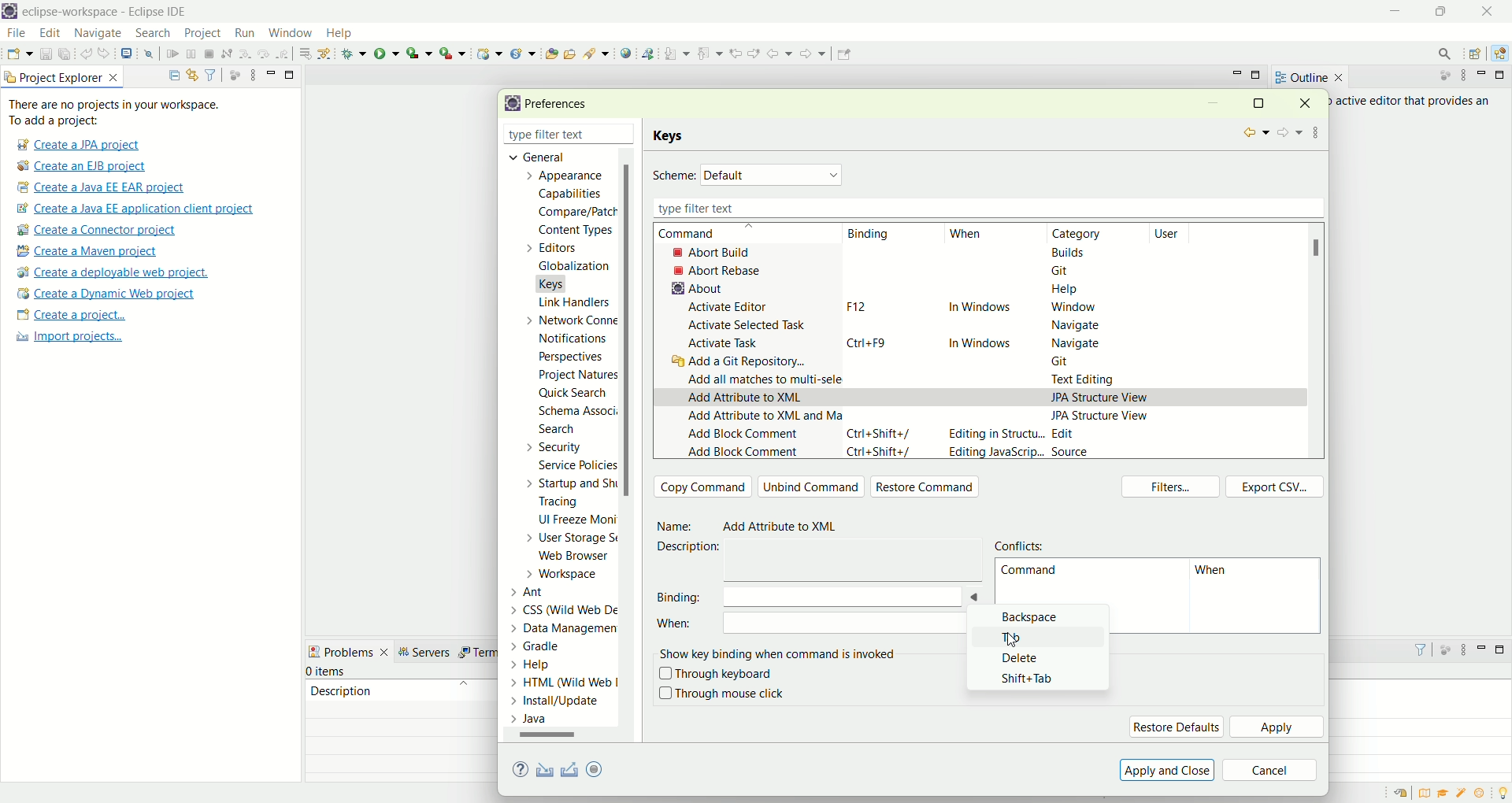 Image resolution: width=1512 pixels, height=803 pixels. I want to click on search, so click(597, 53).